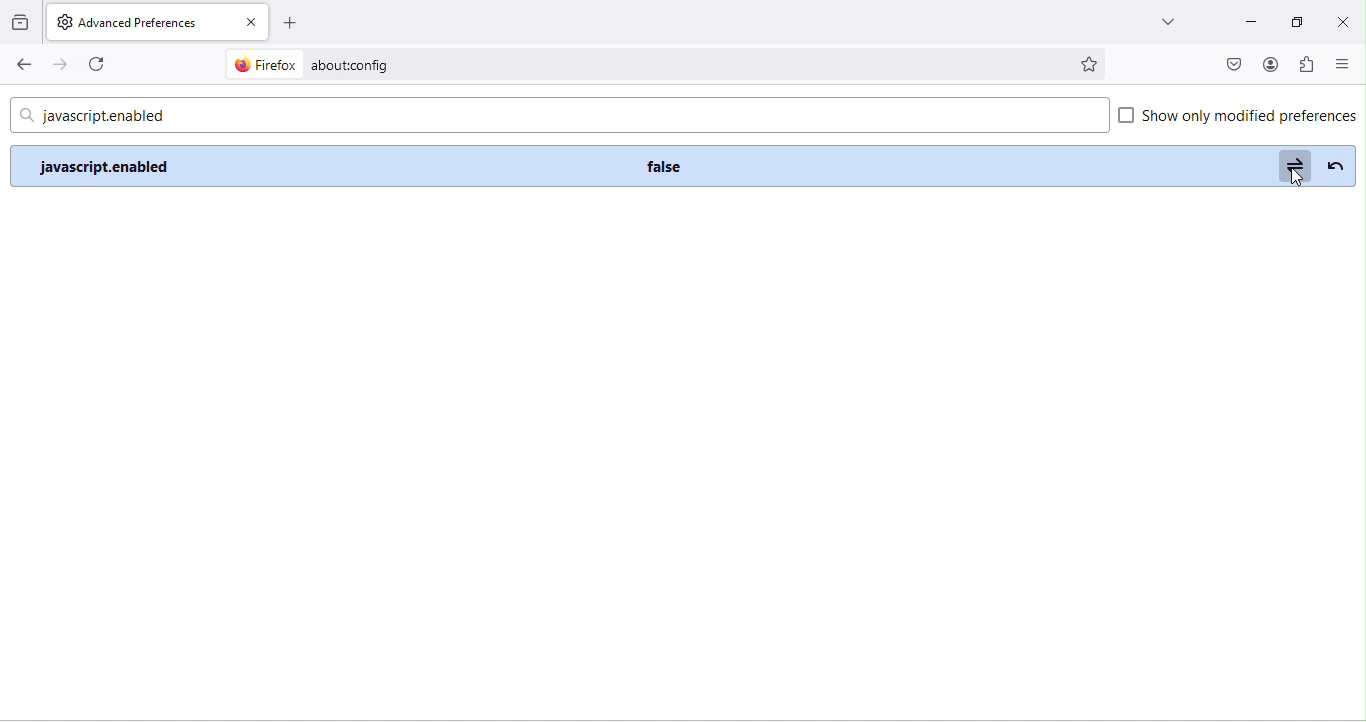 This screenshot has width=1366, height=722. I want to click on view recent, so click(18, 24).